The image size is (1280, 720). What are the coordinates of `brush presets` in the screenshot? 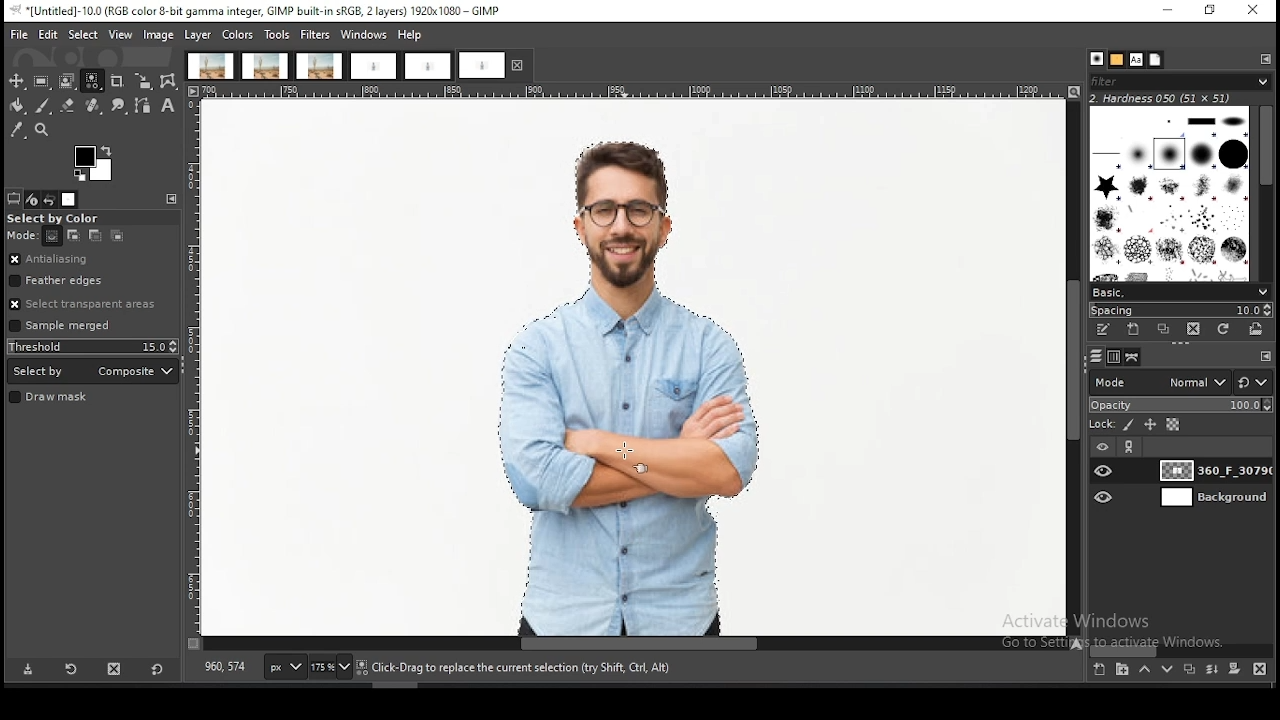 It's located at (1179, 293).